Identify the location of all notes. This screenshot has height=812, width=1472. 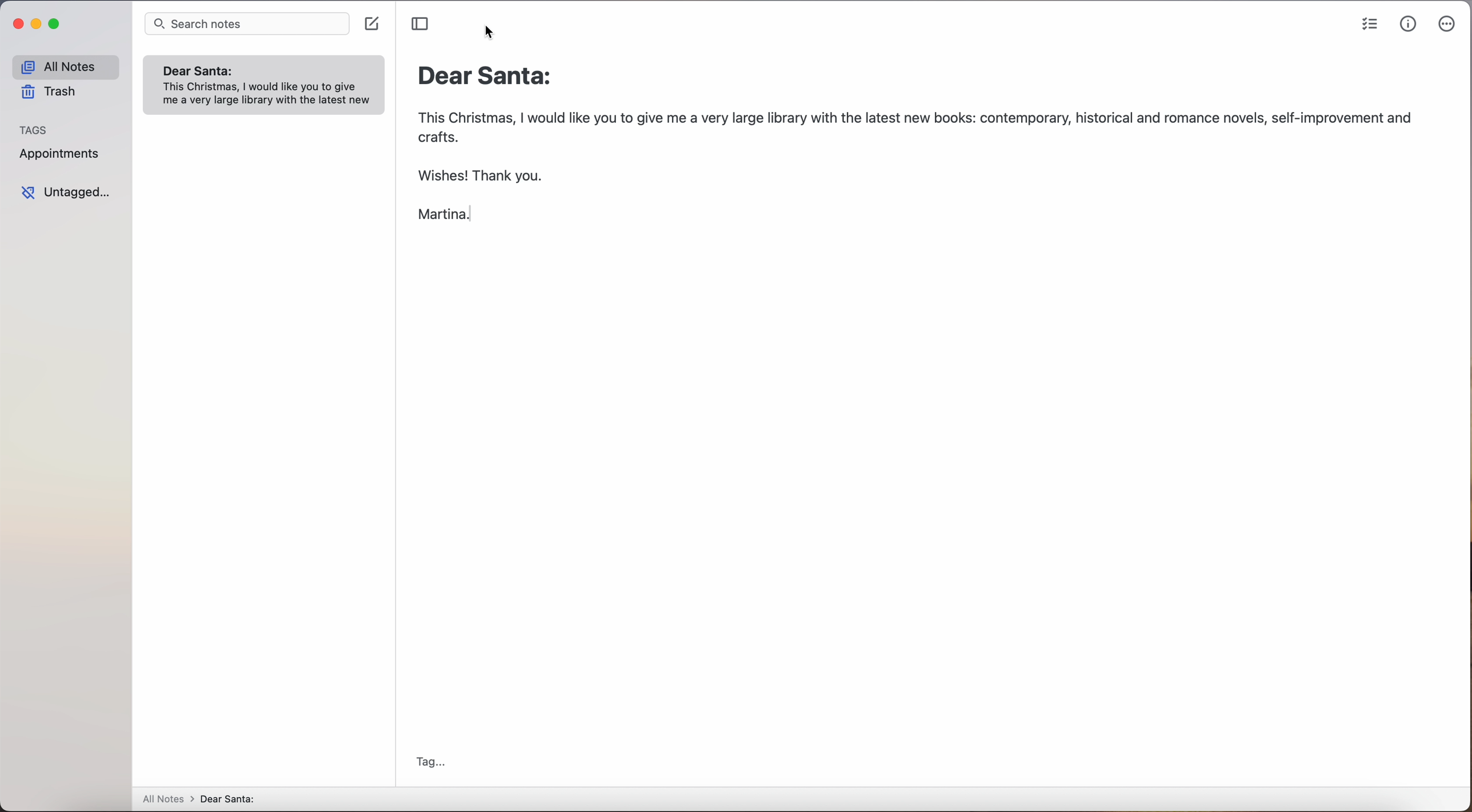
(69, 62).